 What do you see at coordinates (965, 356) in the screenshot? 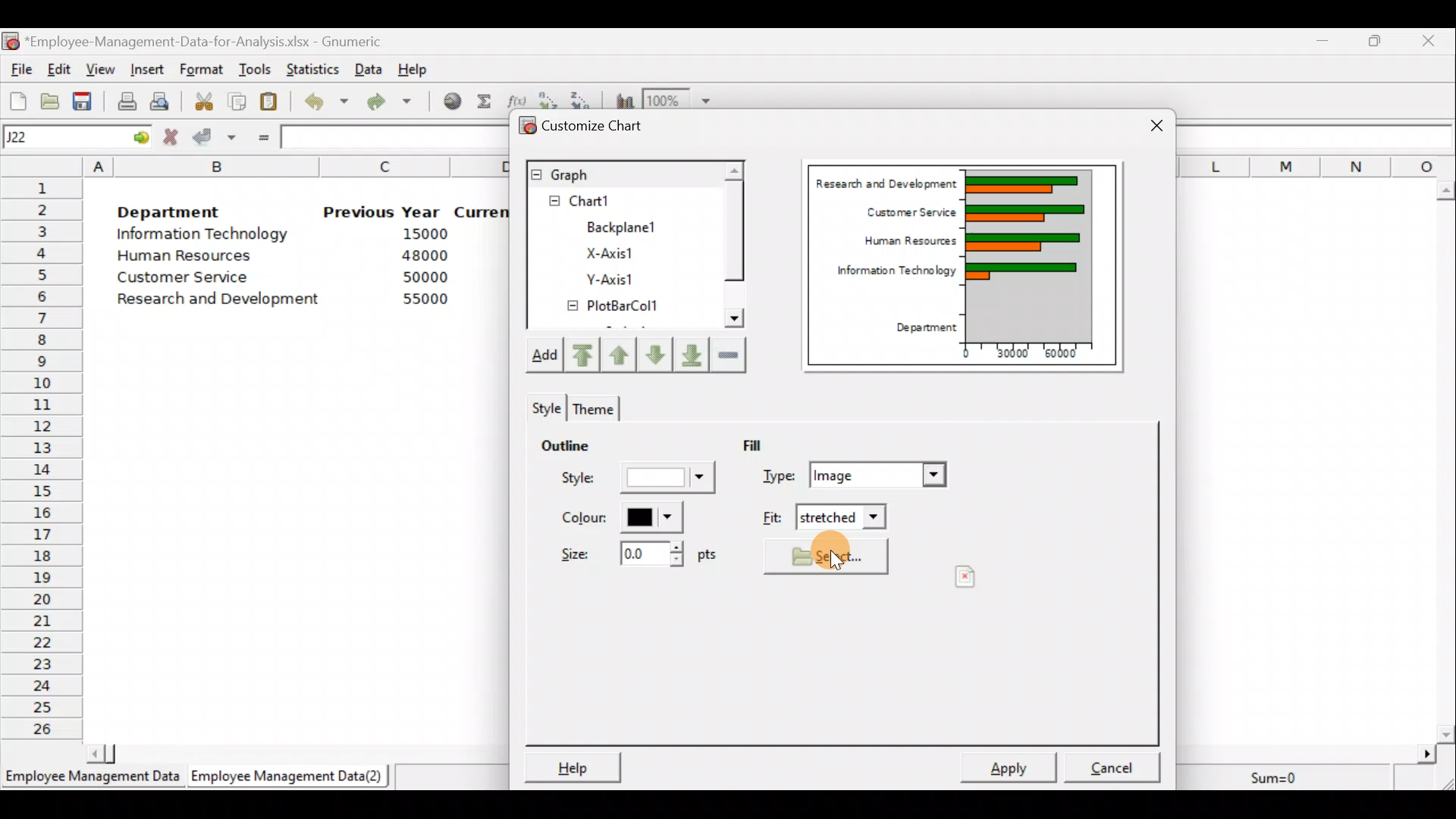
I see `0` at bounding box center [965, 356].